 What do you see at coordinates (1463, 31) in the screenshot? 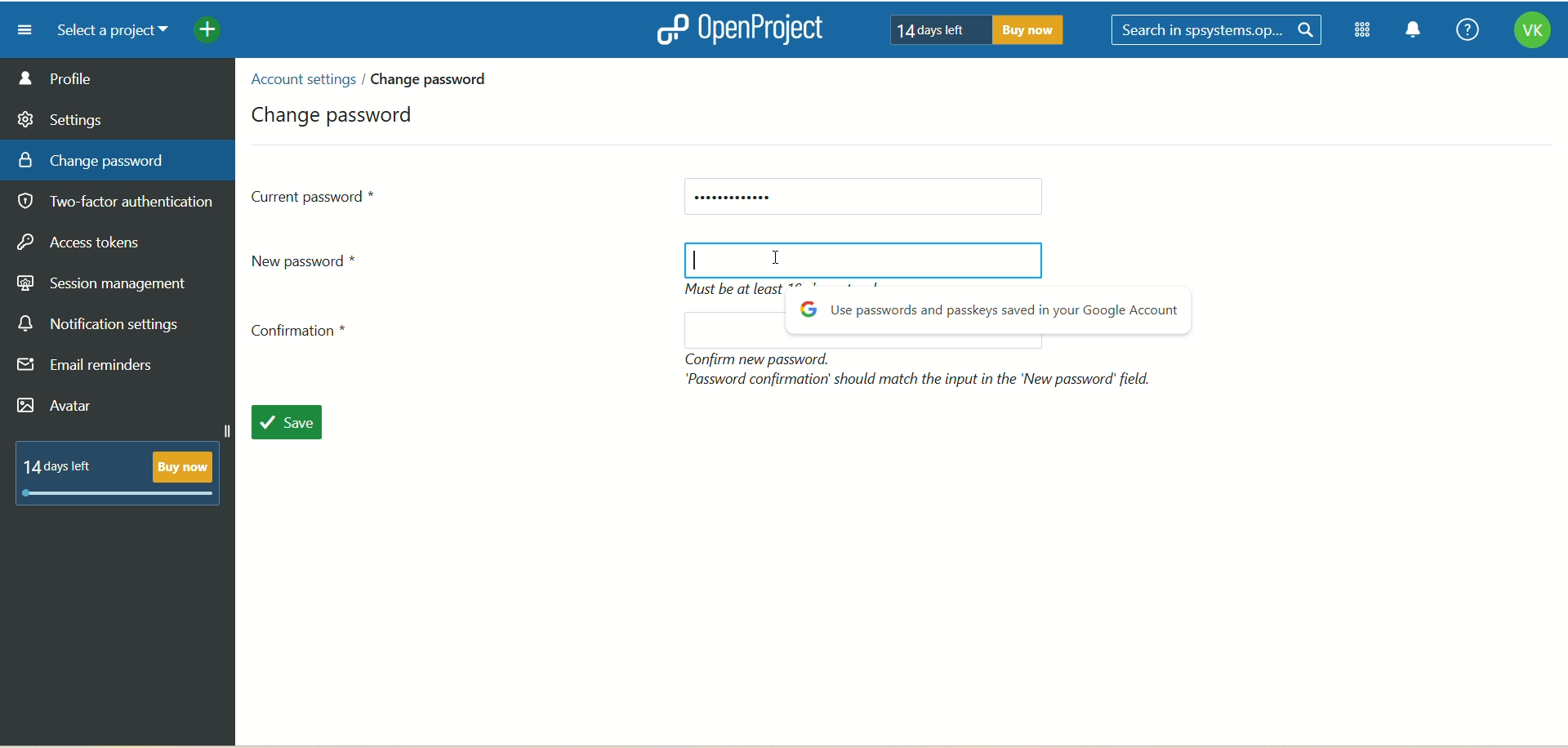
I see `help` at bounding box center [1463, 31].